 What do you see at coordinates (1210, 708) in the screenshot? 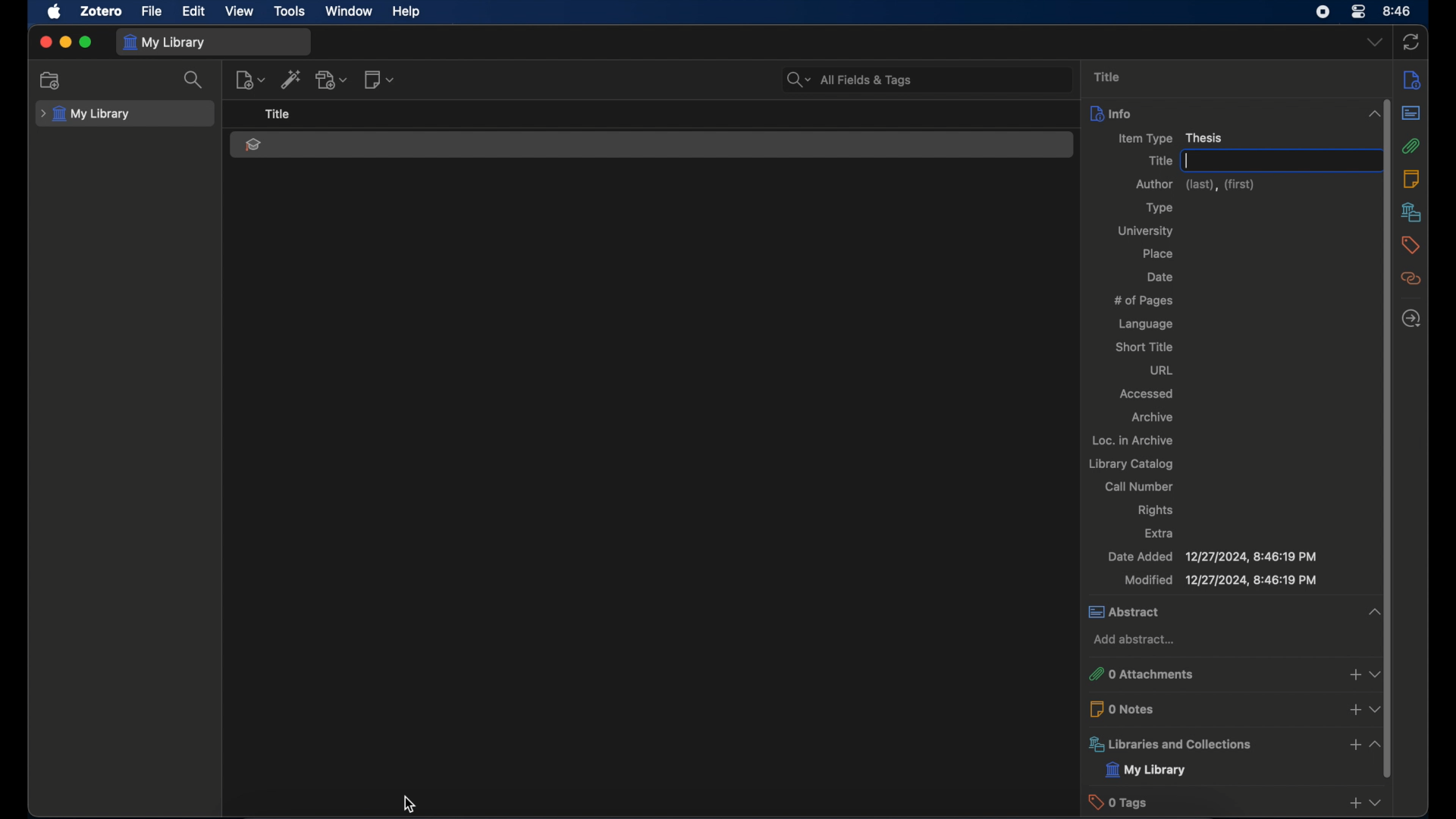
I see `0 notes` at bounding box center [1210, 708].